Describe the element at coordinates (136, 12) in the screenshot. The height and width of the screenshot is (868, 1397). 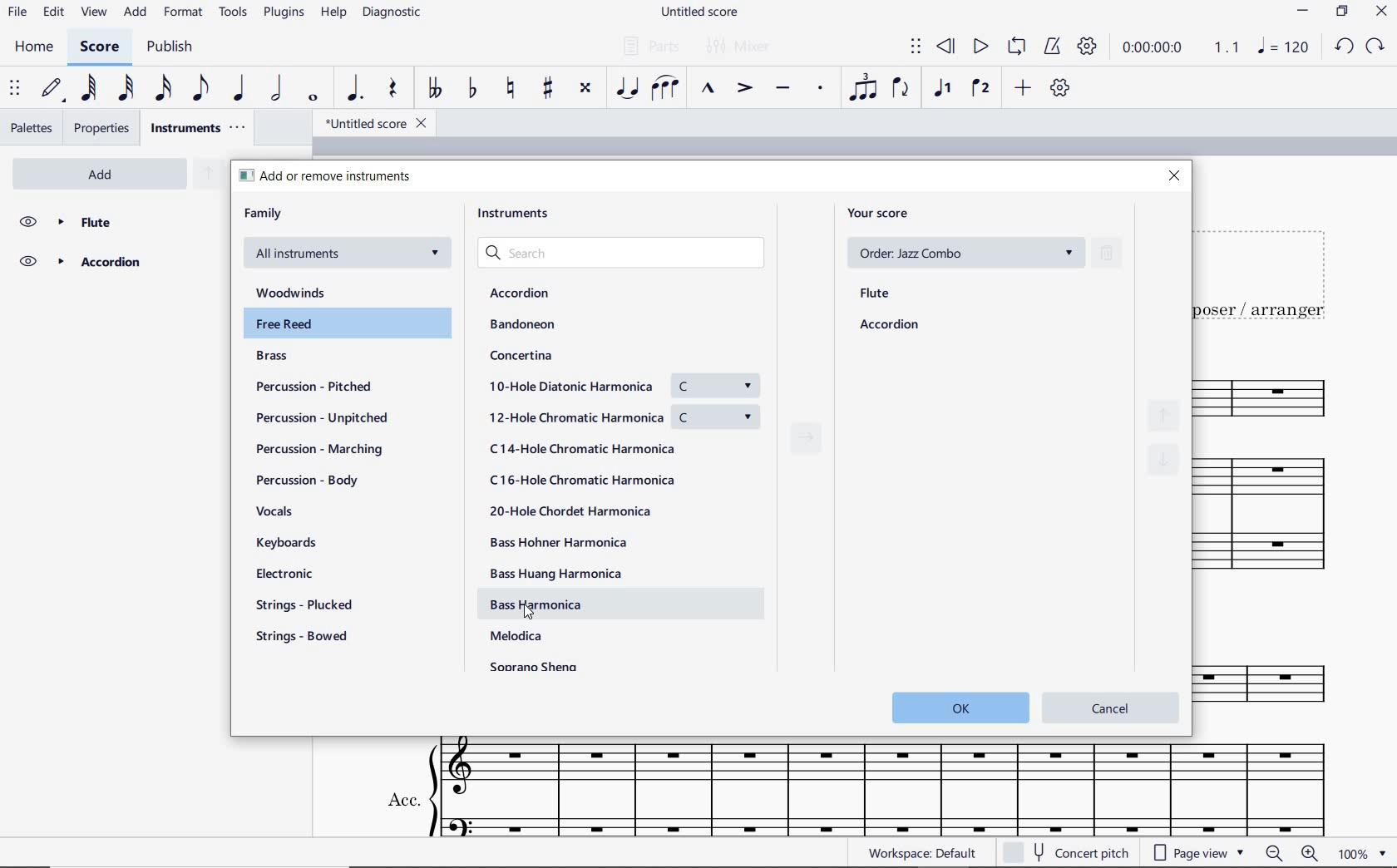
I see `ADD` at that location.